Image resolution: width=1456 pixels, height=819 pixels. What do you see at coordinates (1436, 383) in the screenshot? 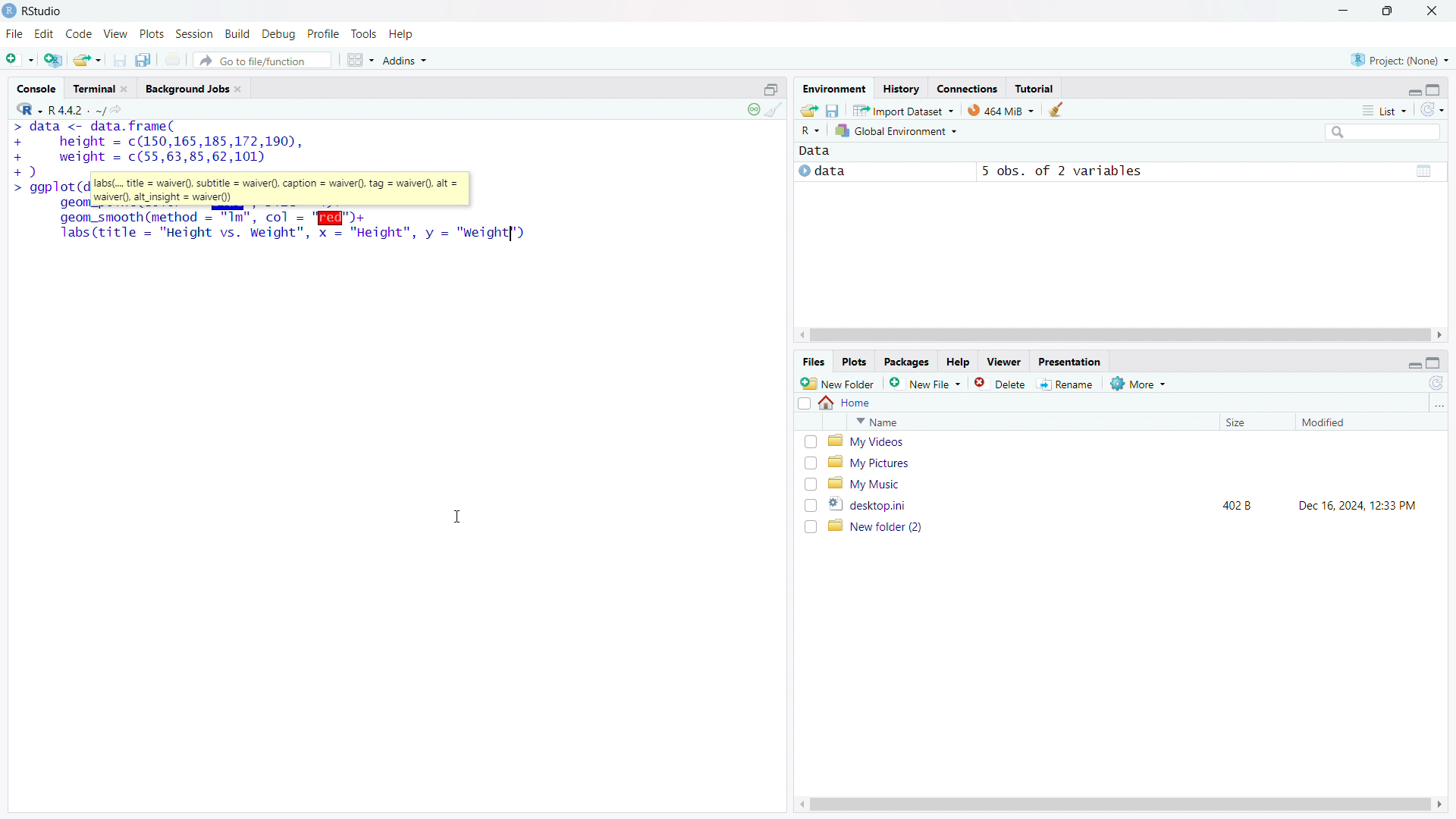
I see `refresh` at bounding box center [1436, 383].